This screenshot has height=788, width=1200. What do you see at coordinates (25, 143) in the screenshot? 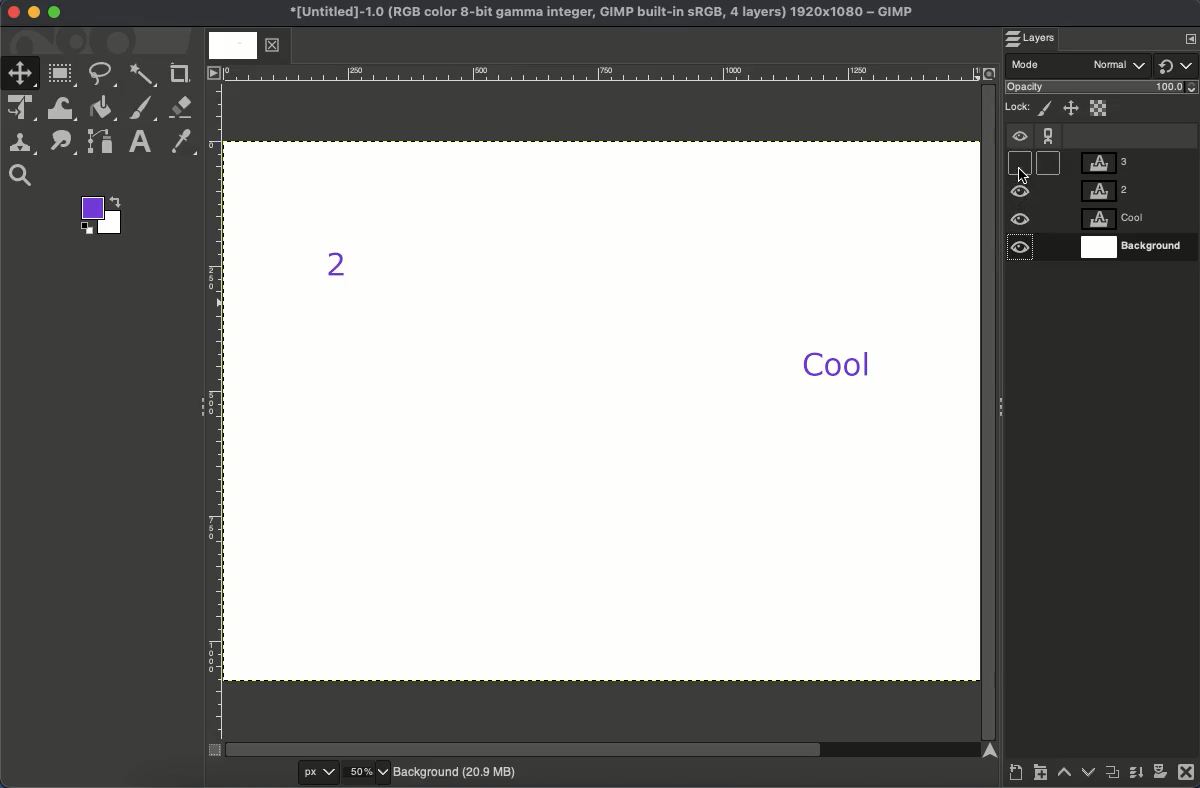
I see `Clone` at bounding box center [25, 143].